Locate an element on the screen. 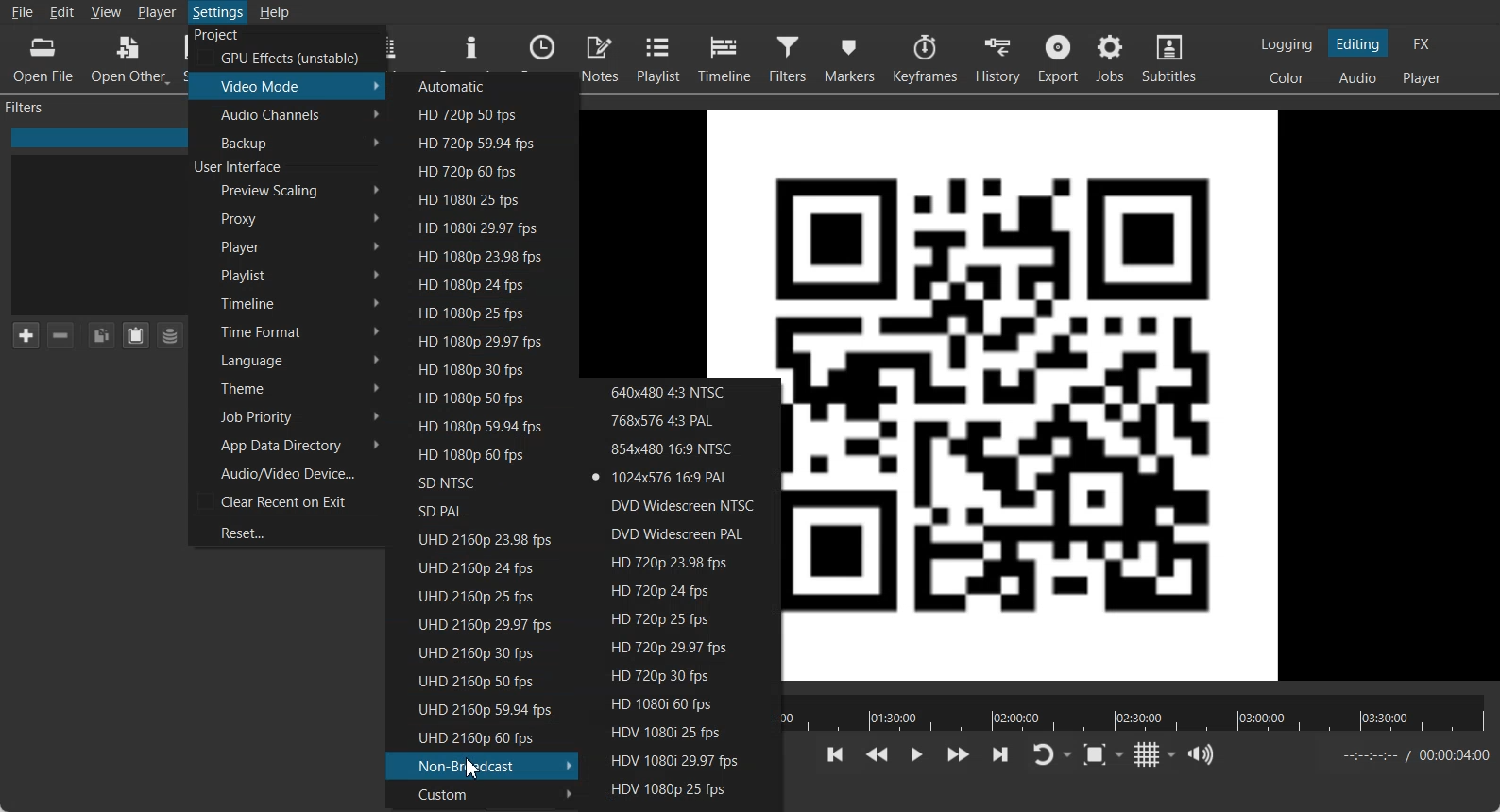 This screenshot has height=812, width=1500. HDV 1080i 25 fps is located at coordinates (680, 732).